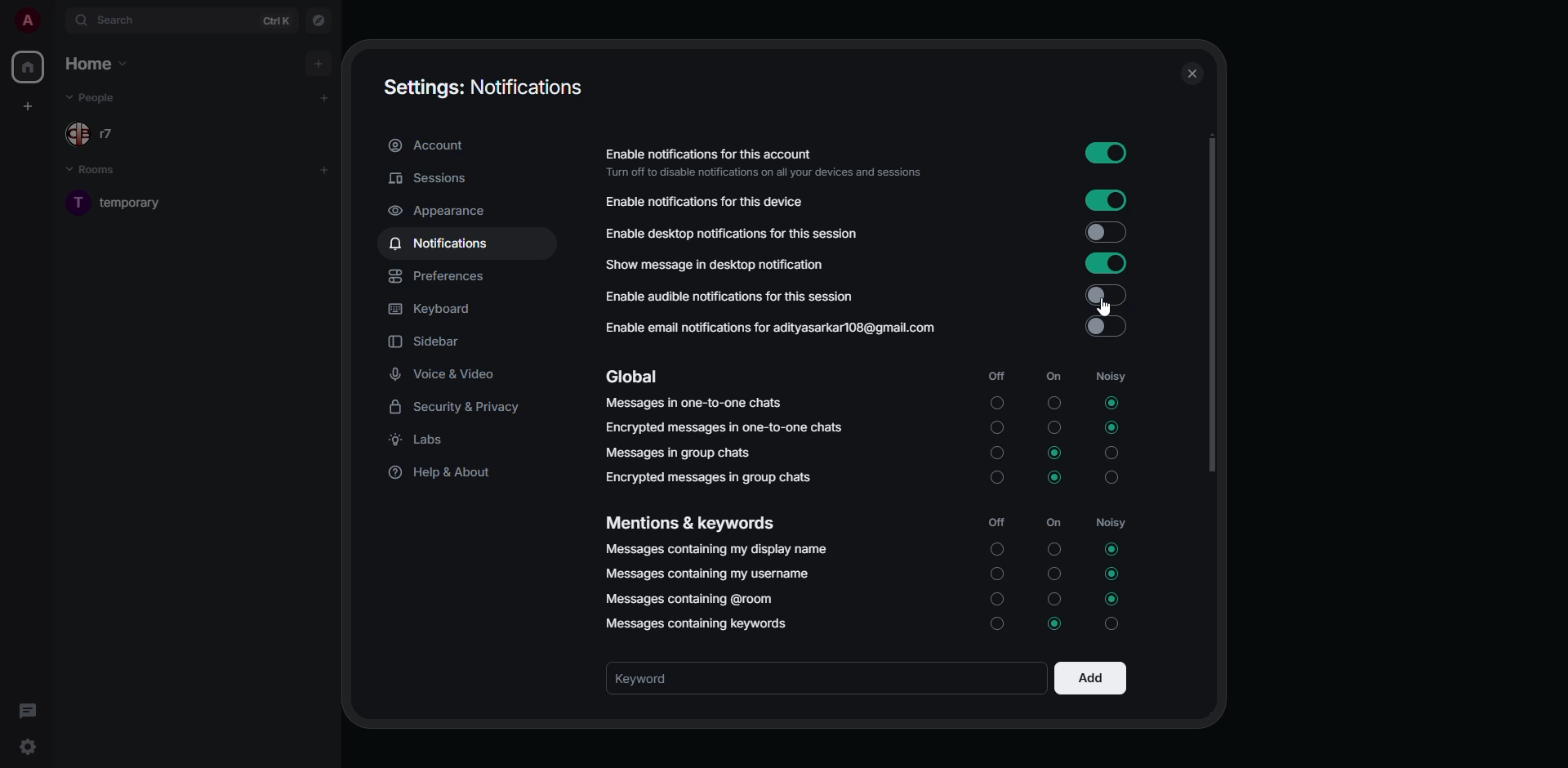 The image size is (1568, 768). Describe the element at coordinates (98, 134) in the screenshot. I see `people` at that location.